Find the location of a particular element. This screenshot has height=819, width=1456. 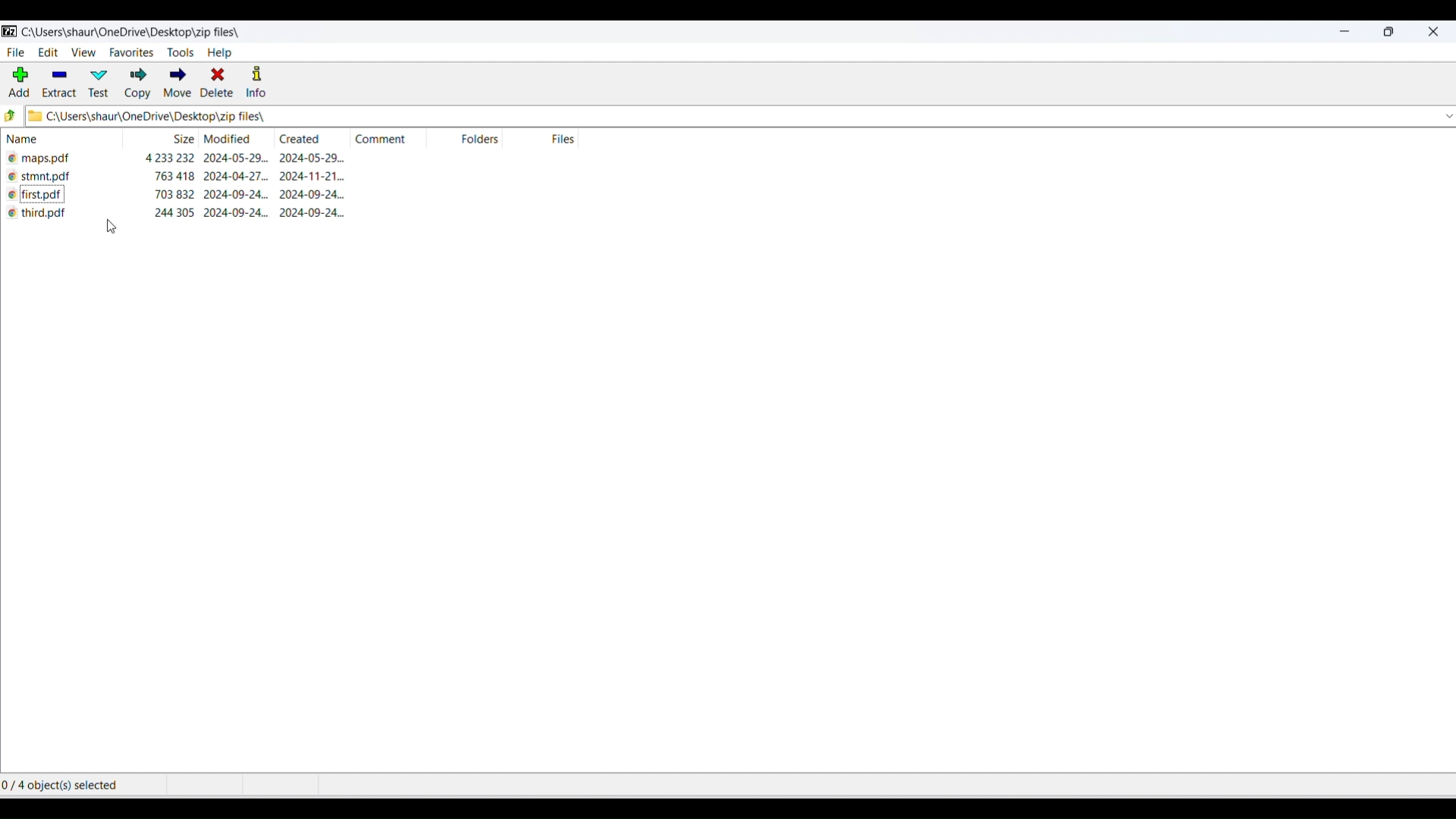

created is located at coordinates (309, 140).